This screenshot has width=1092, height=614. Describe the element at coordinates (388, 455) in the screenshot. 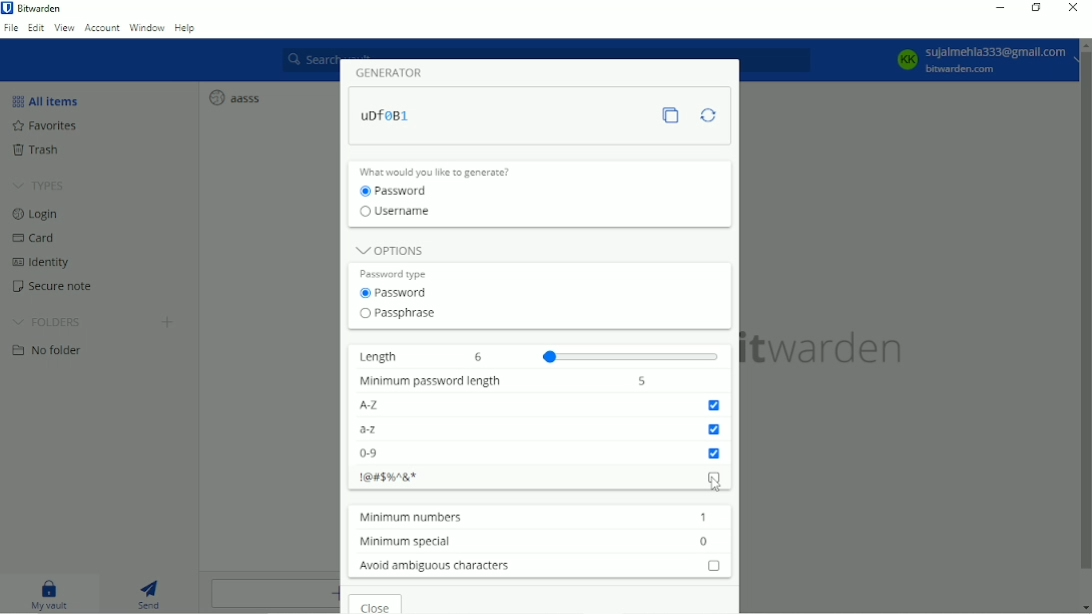

I see `0-9` at that location.